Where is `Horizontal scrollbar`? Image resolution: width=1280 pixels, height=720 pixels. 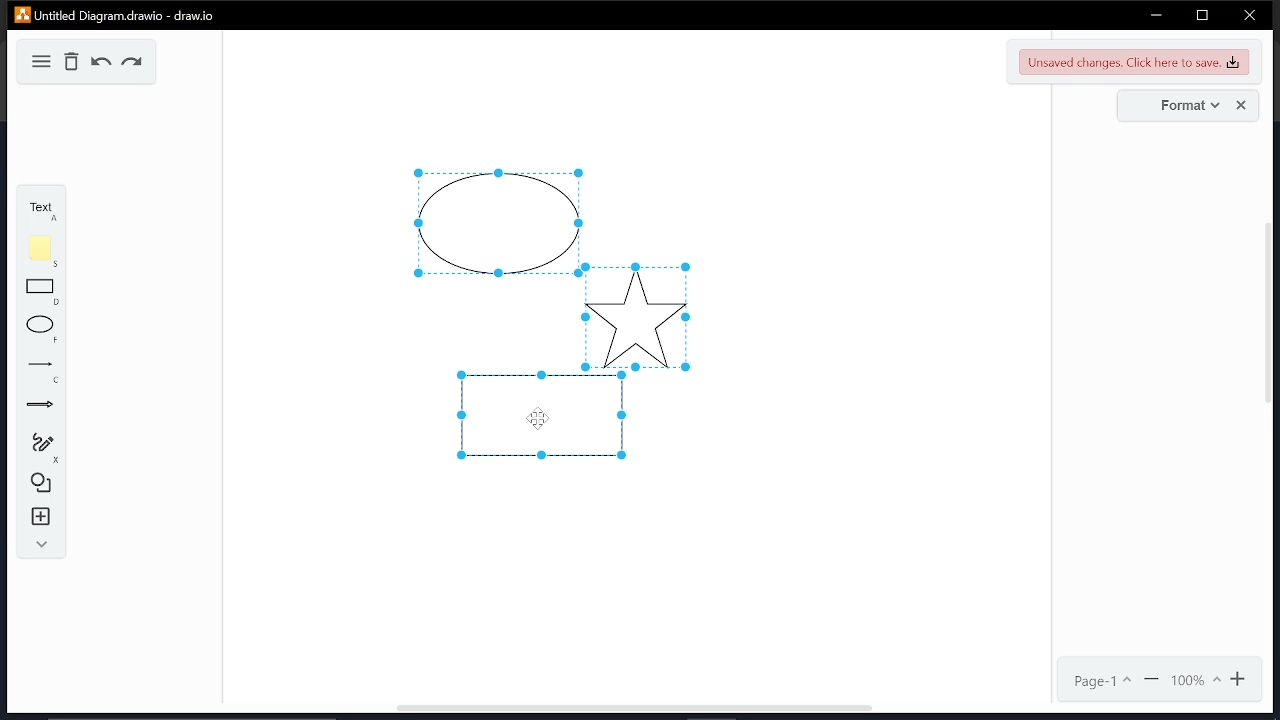
Horizontal scrollbar is located at coordinates (634, 710).